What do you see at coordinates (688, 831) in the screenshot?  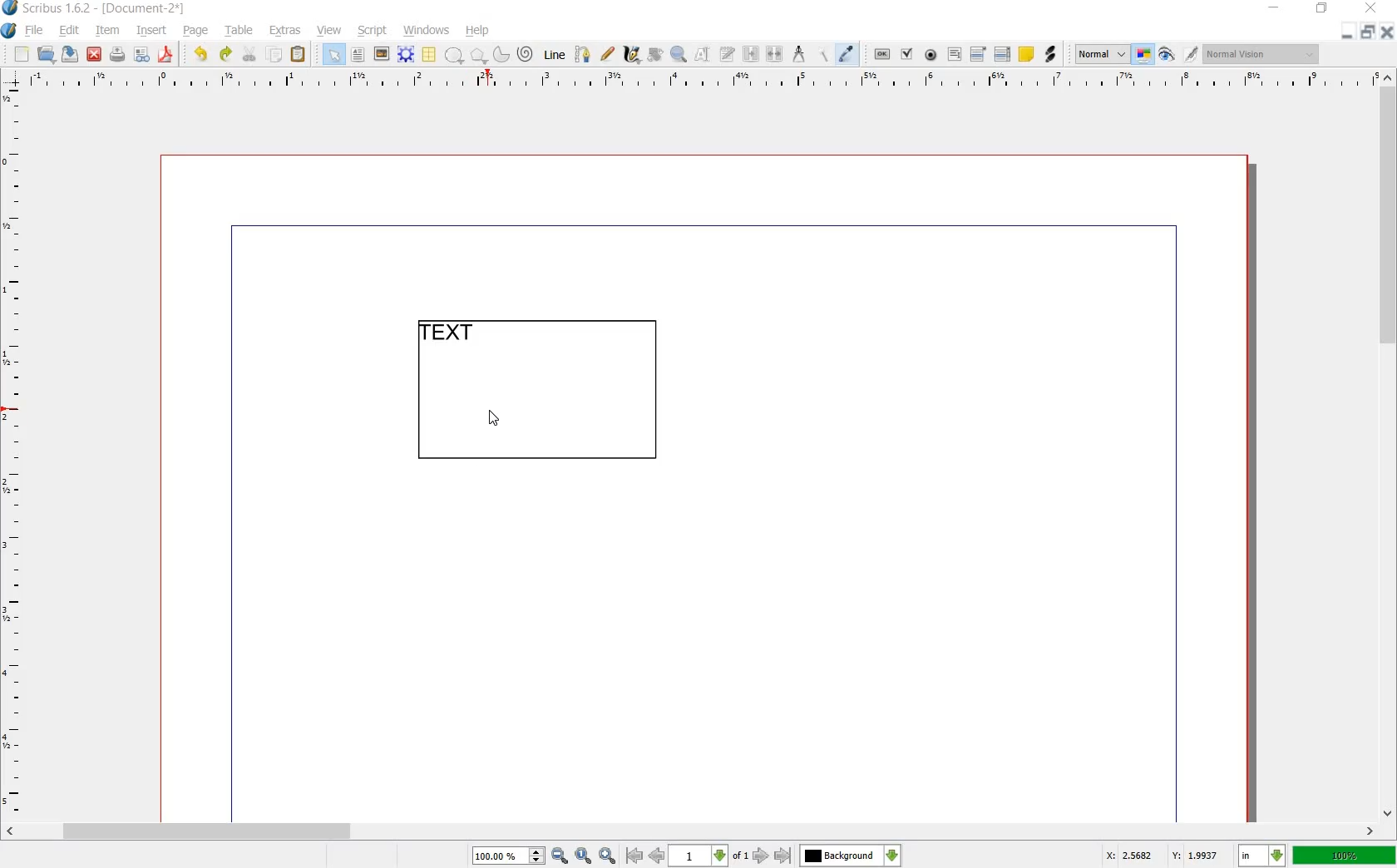 I see `scroll bar` at bounding box center [688, 831].